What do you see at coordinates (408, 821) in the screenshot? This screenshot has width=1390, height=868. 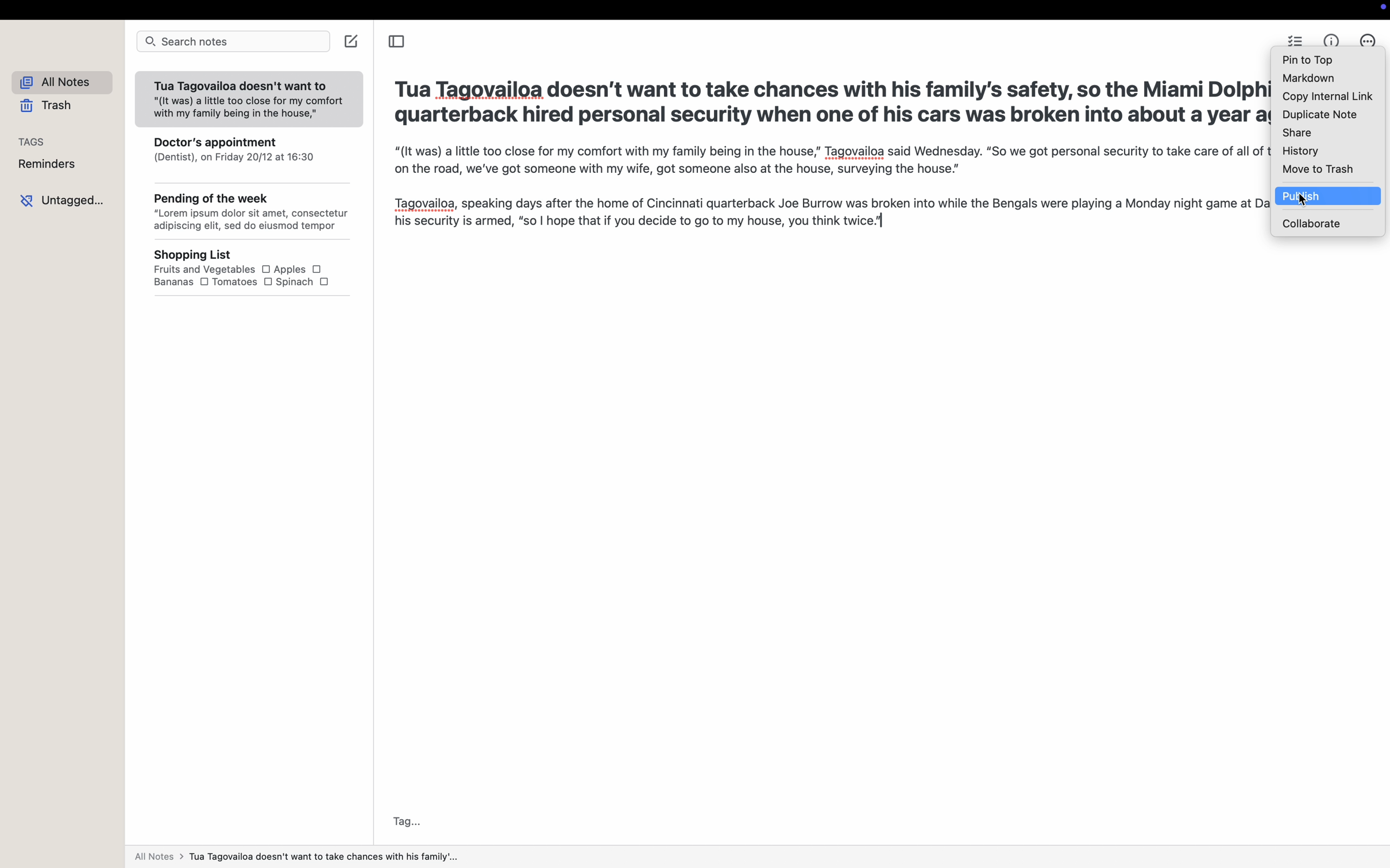 I see `tag` at bounding box center [408, 821].